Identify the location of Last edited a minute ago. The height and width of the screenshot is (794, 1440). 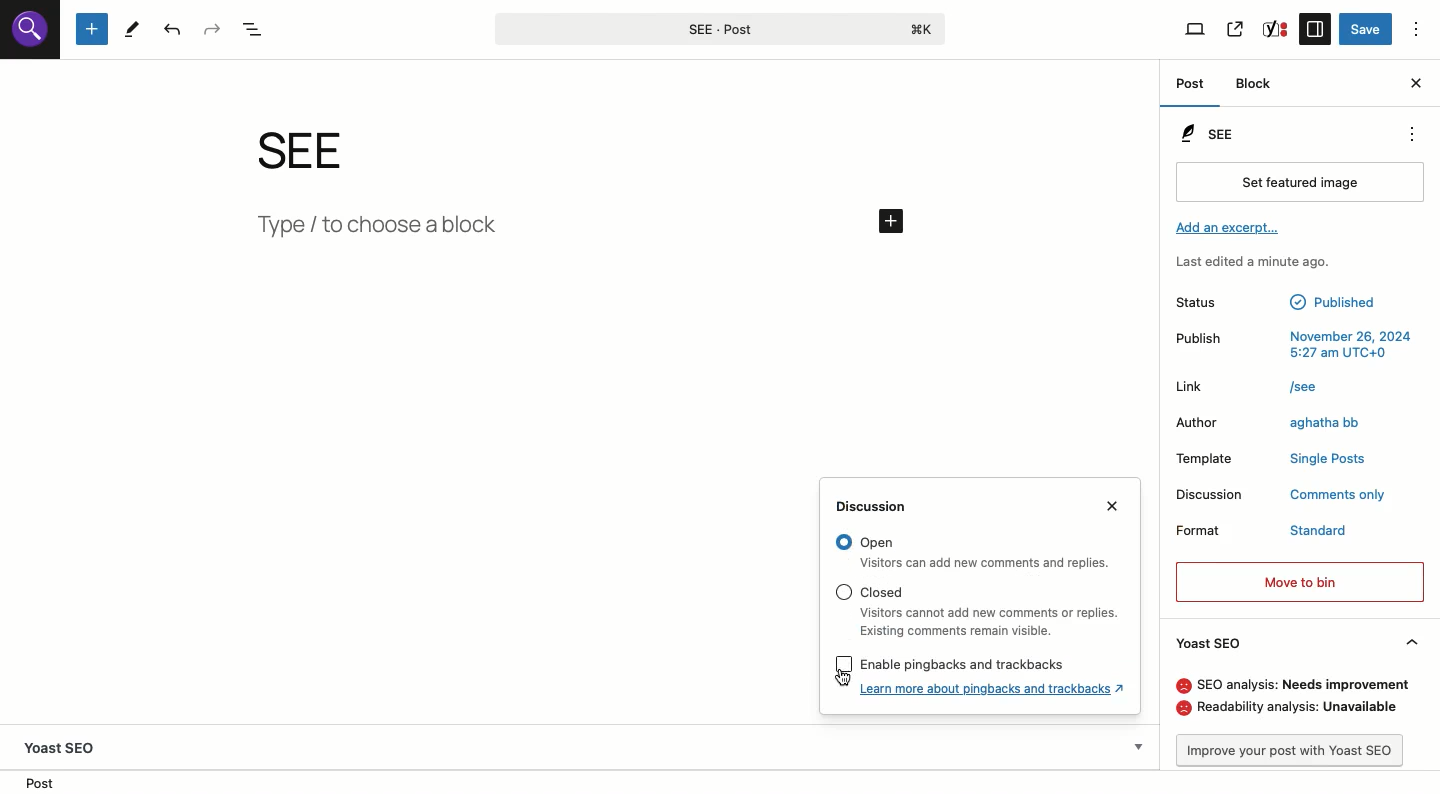
(1264, 263).